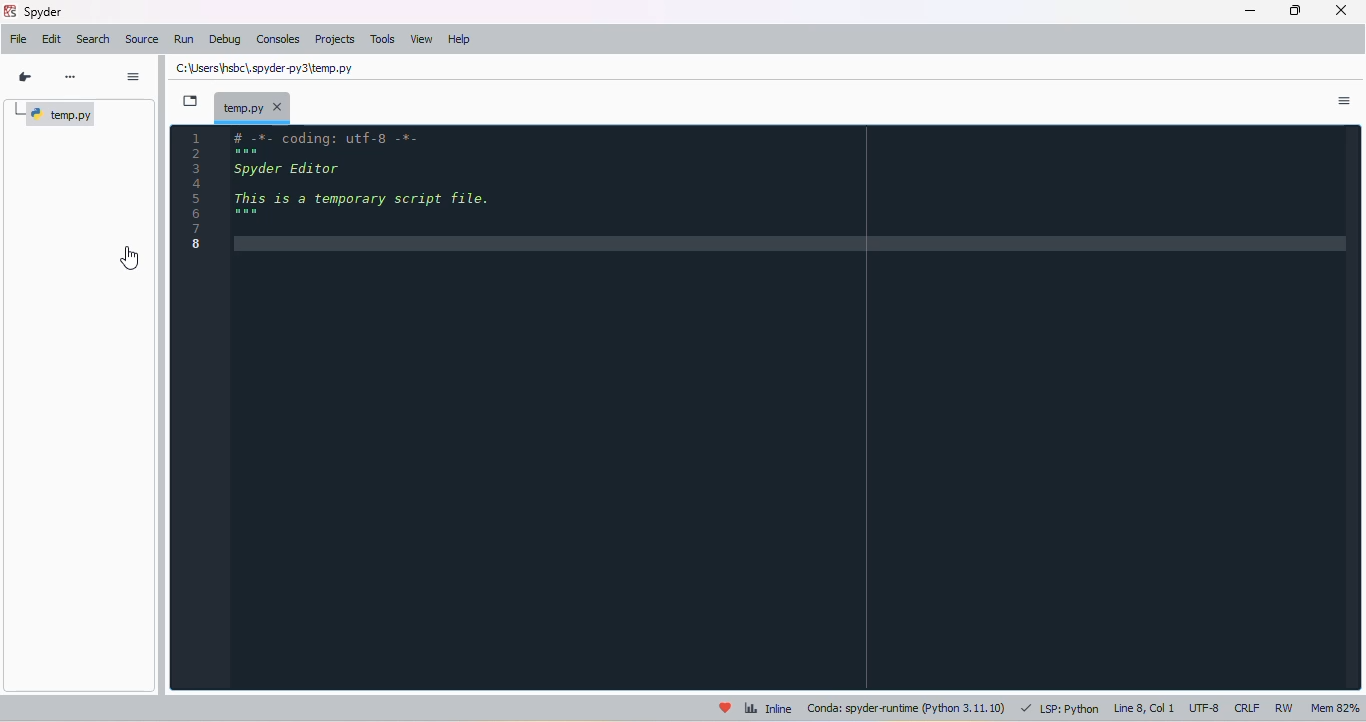  Describe the element at coordinates (134, 76) in the screenshot. I see `options` at that location.